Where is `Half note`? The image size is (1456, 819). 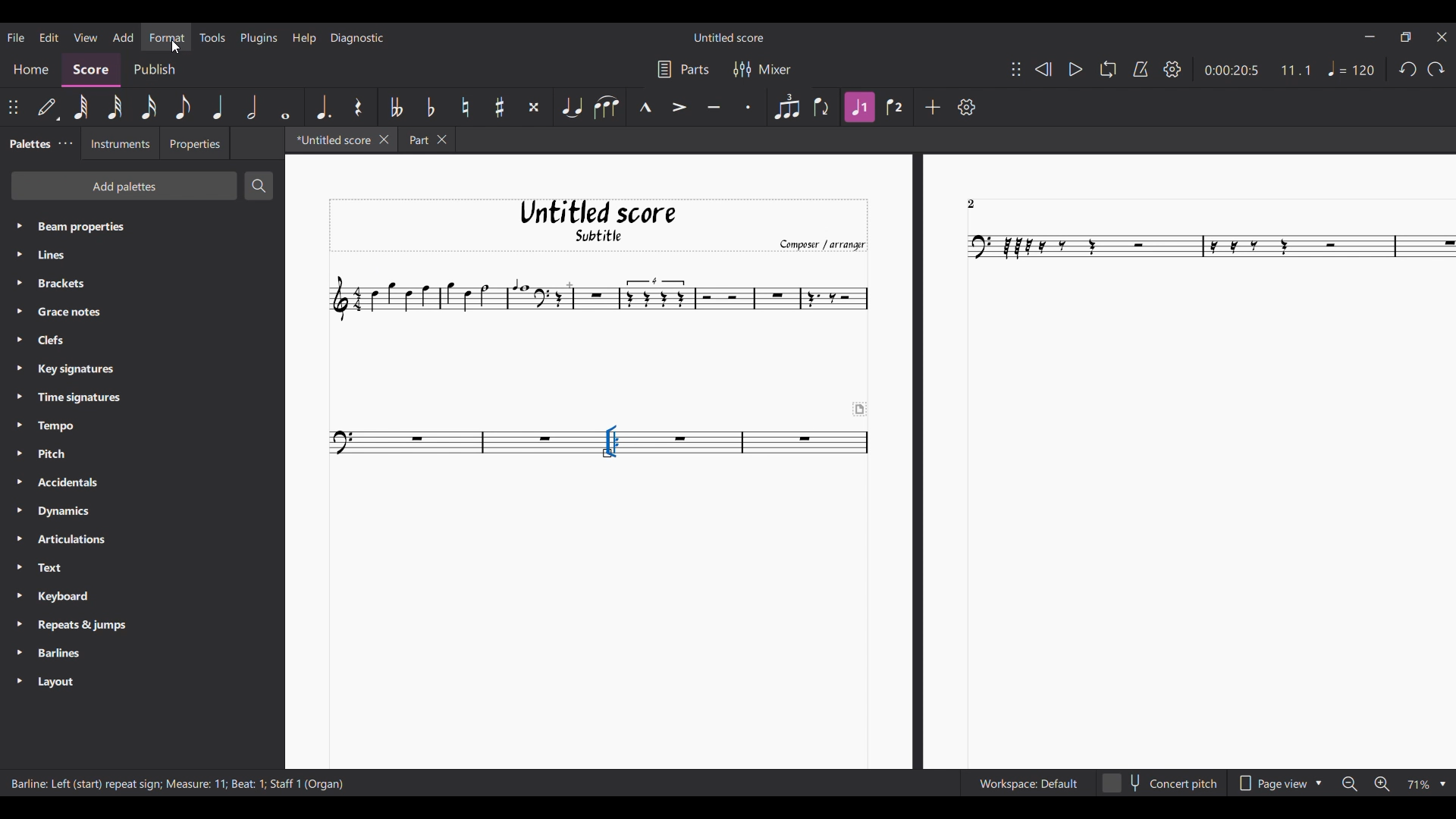
Half note is located at coordinates (252, 107).